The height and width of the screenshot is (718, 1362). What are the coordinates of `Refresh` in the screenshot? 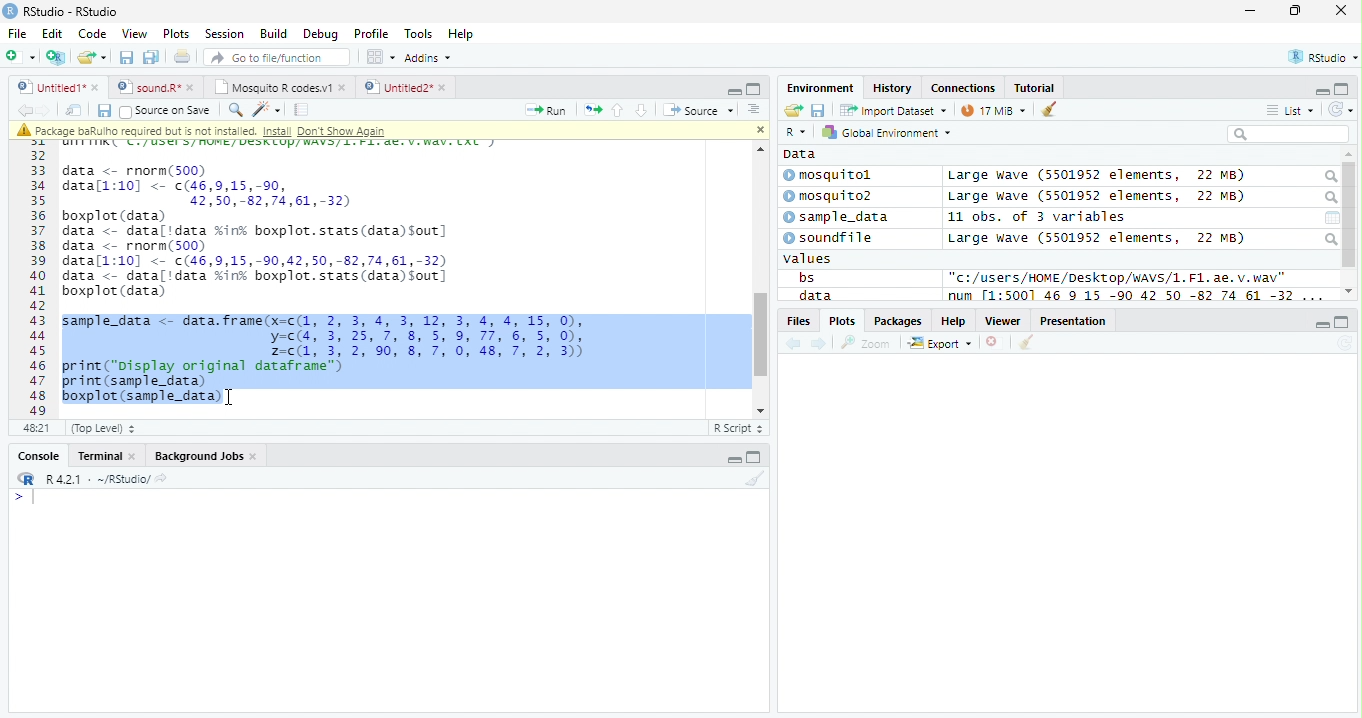 It's located at (1341, 110).